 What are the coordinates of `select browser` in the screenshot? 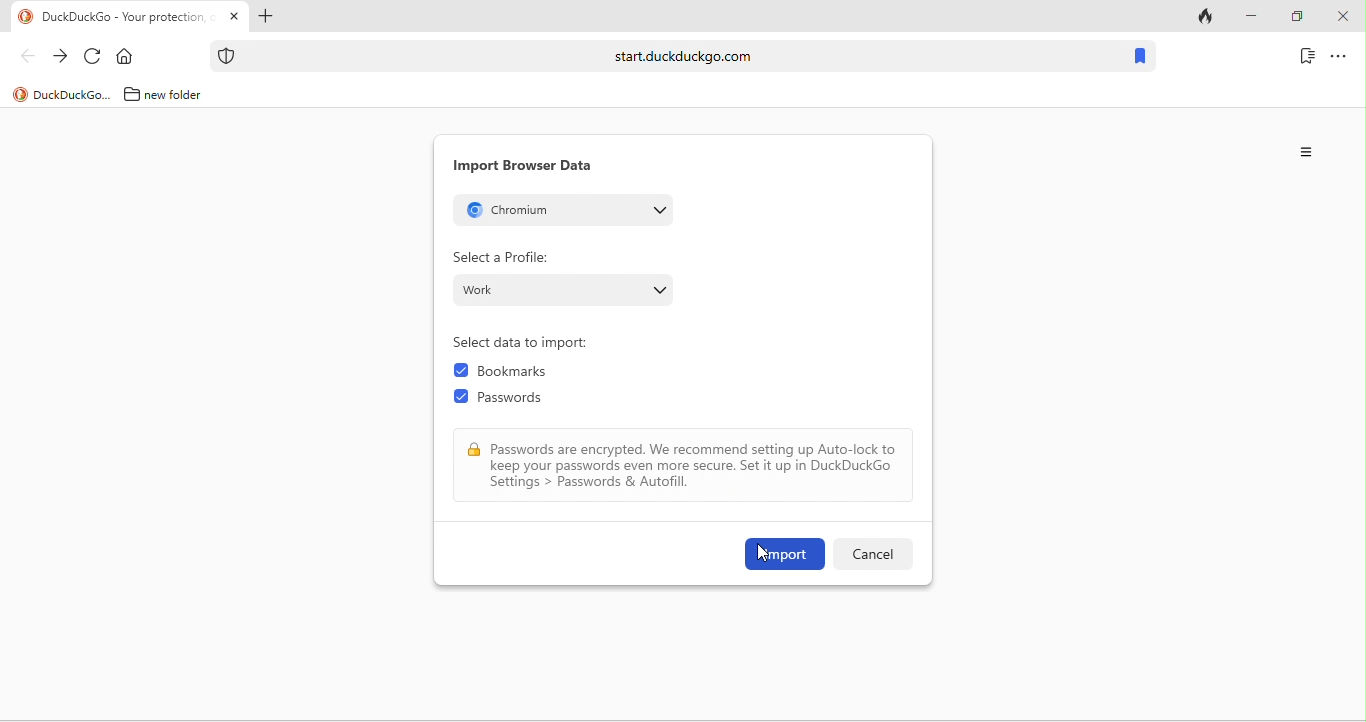 It's located at (563, 209).